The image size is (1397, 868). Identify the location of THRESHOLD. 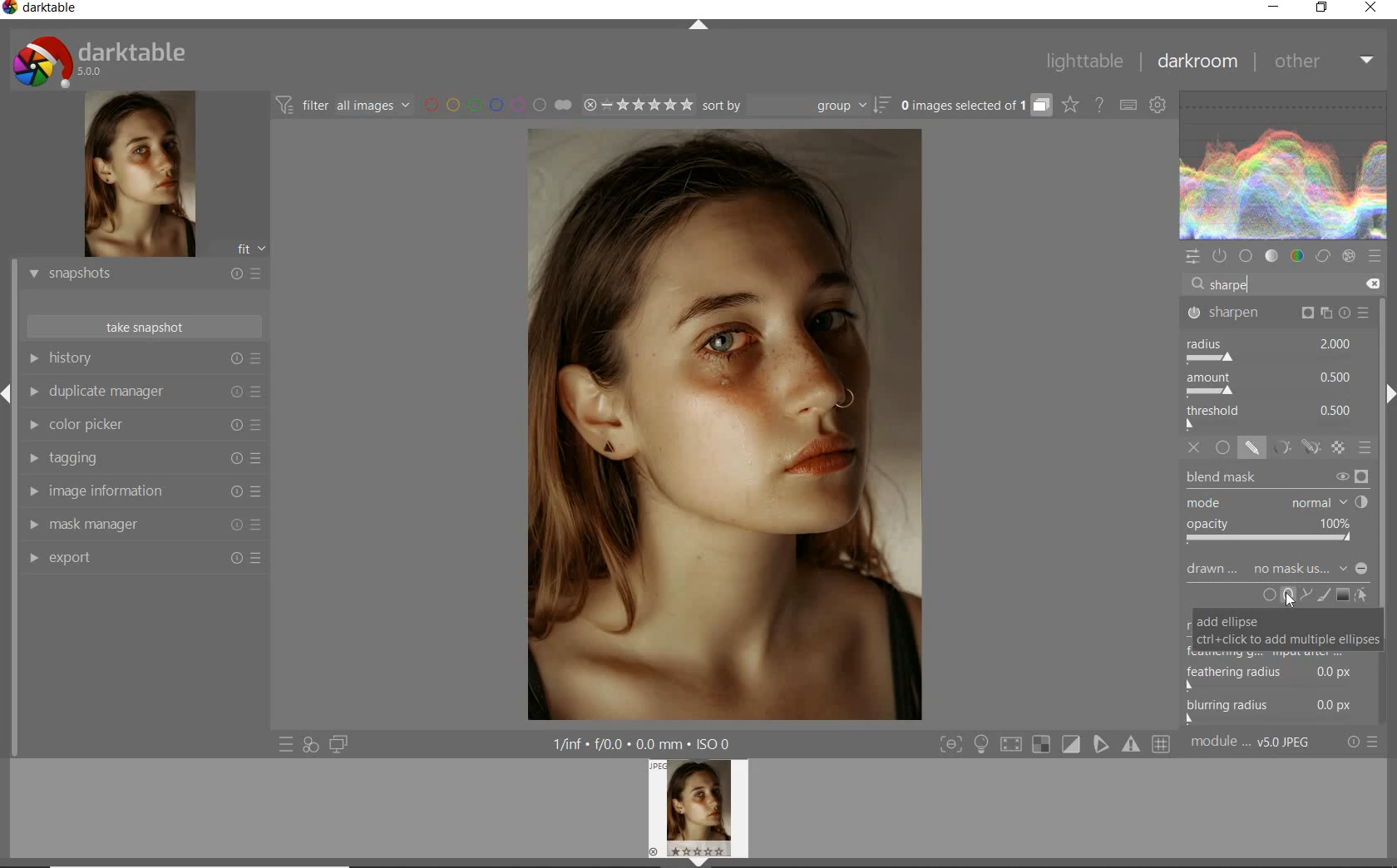
(1271, 417).